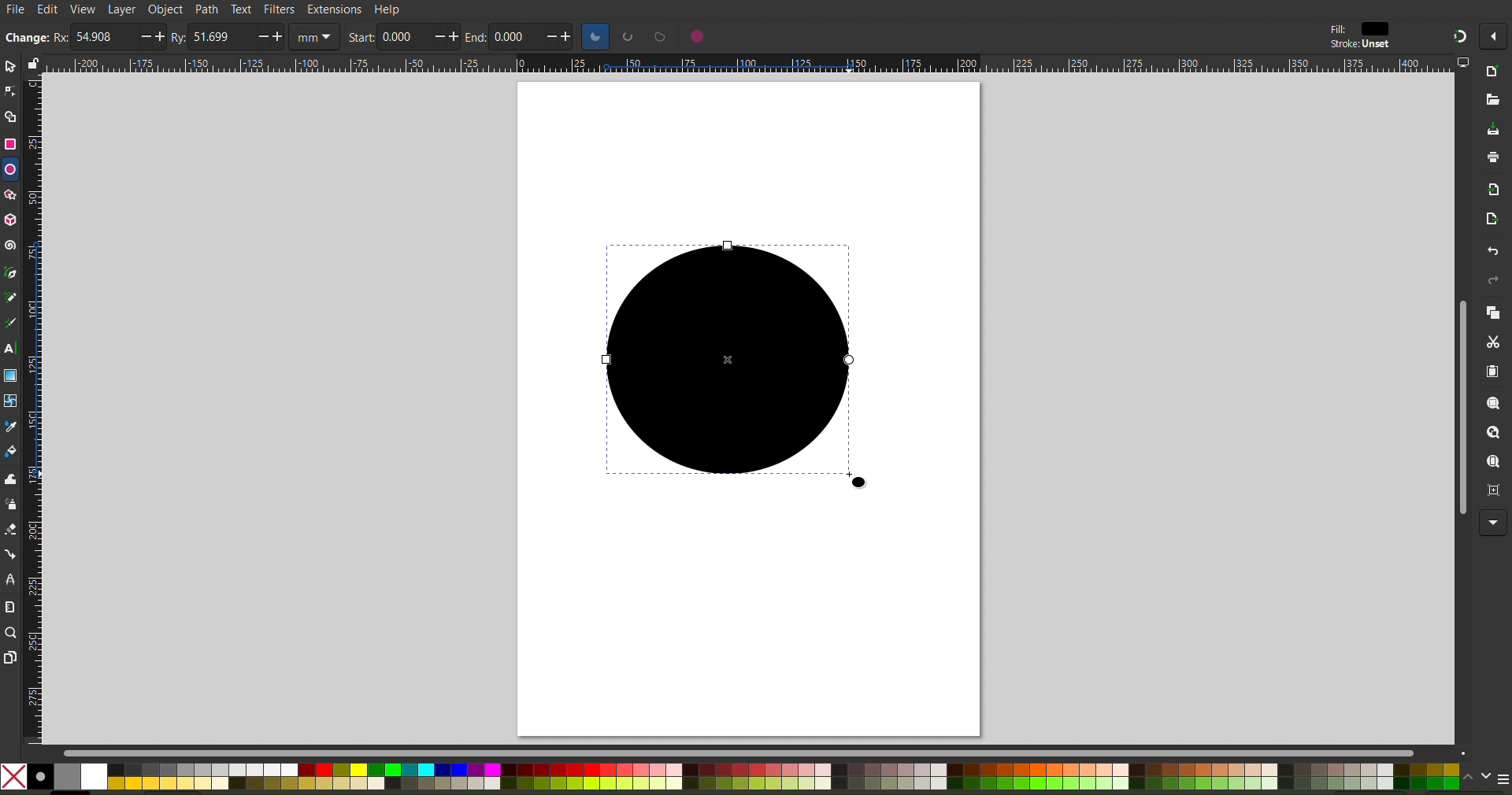 The height and width of the screenshot is (795, 1512). I want to click on Paste, so click(1494, 372).